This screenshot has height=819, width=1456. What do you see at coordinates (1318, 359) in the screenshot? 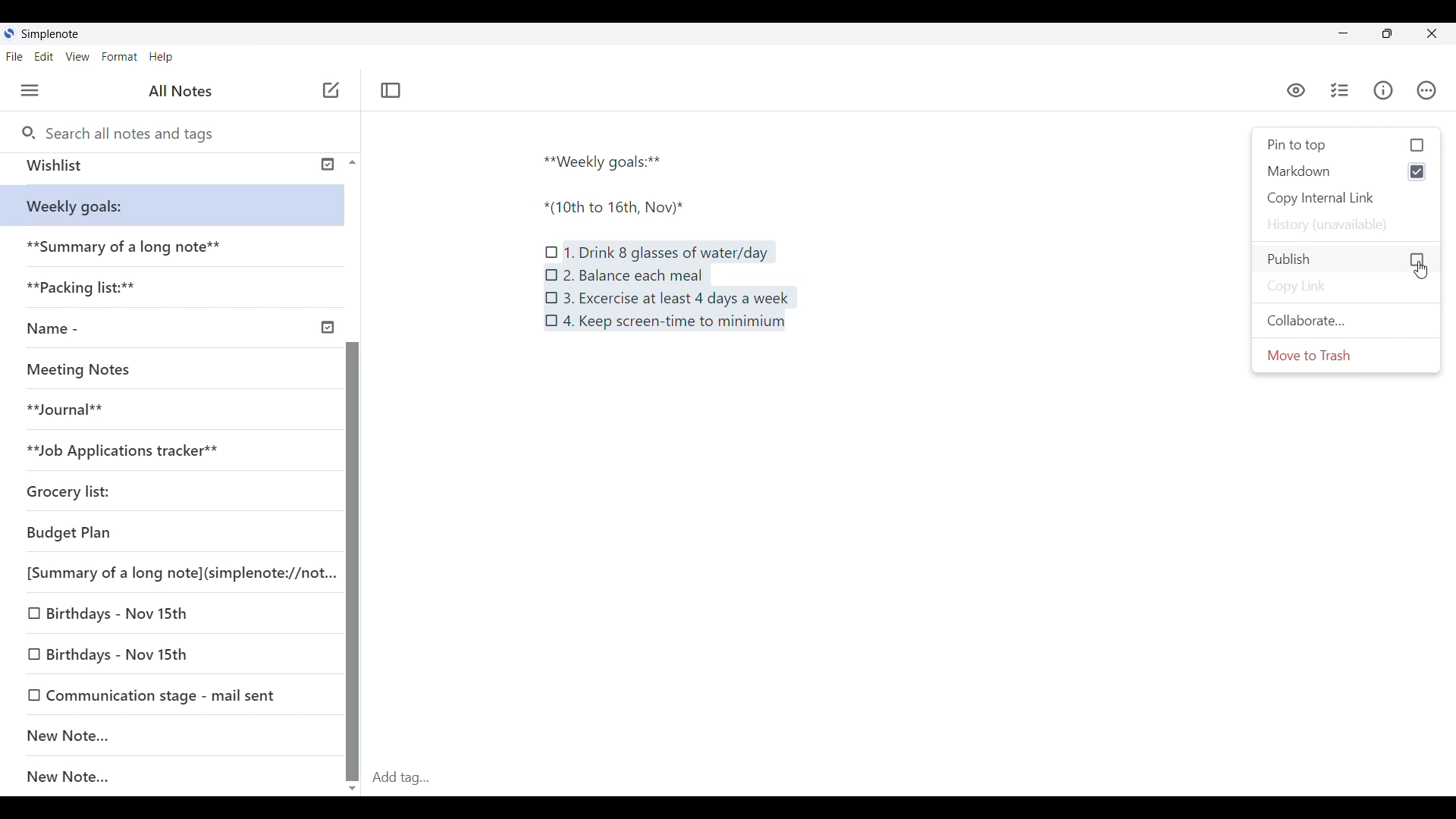
I see `Move to trash` at bounding box center [1318, 359].